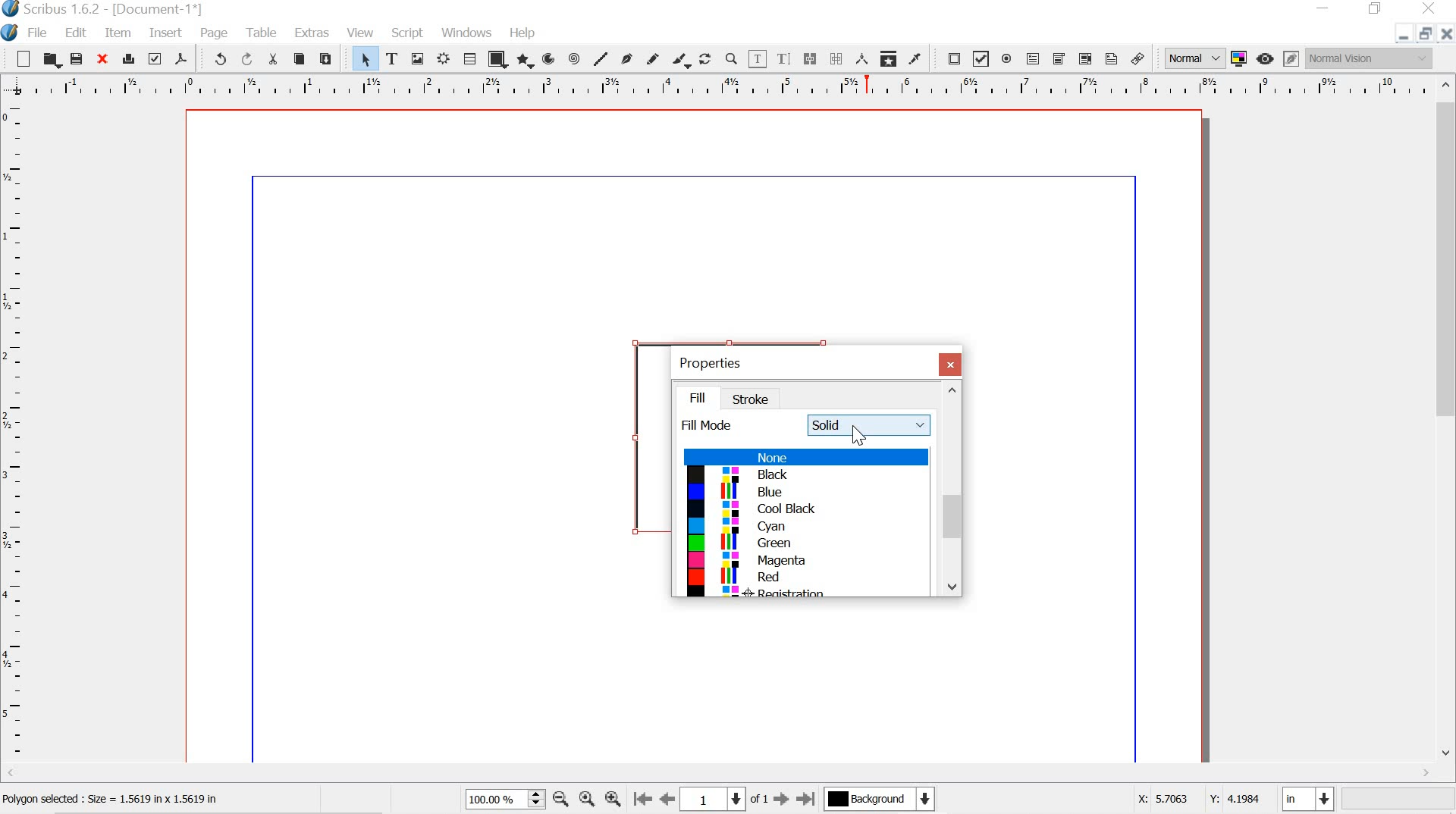 This screenshot has height=814, width=1456. I want to click on file, so click(40, 33).